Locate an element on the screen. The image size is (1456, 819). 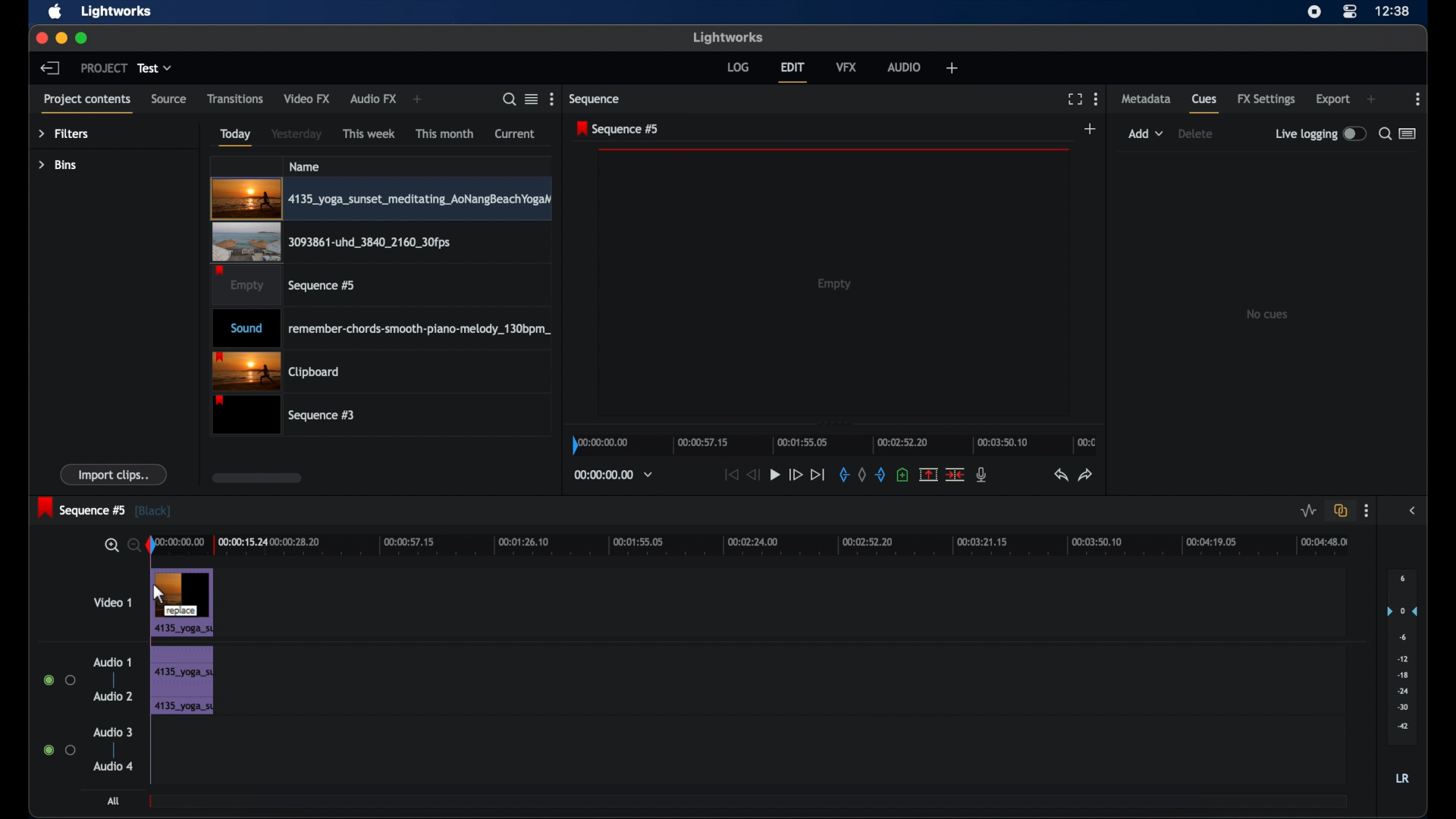
toggle between listened tile view is located at coordinates (532, 99).